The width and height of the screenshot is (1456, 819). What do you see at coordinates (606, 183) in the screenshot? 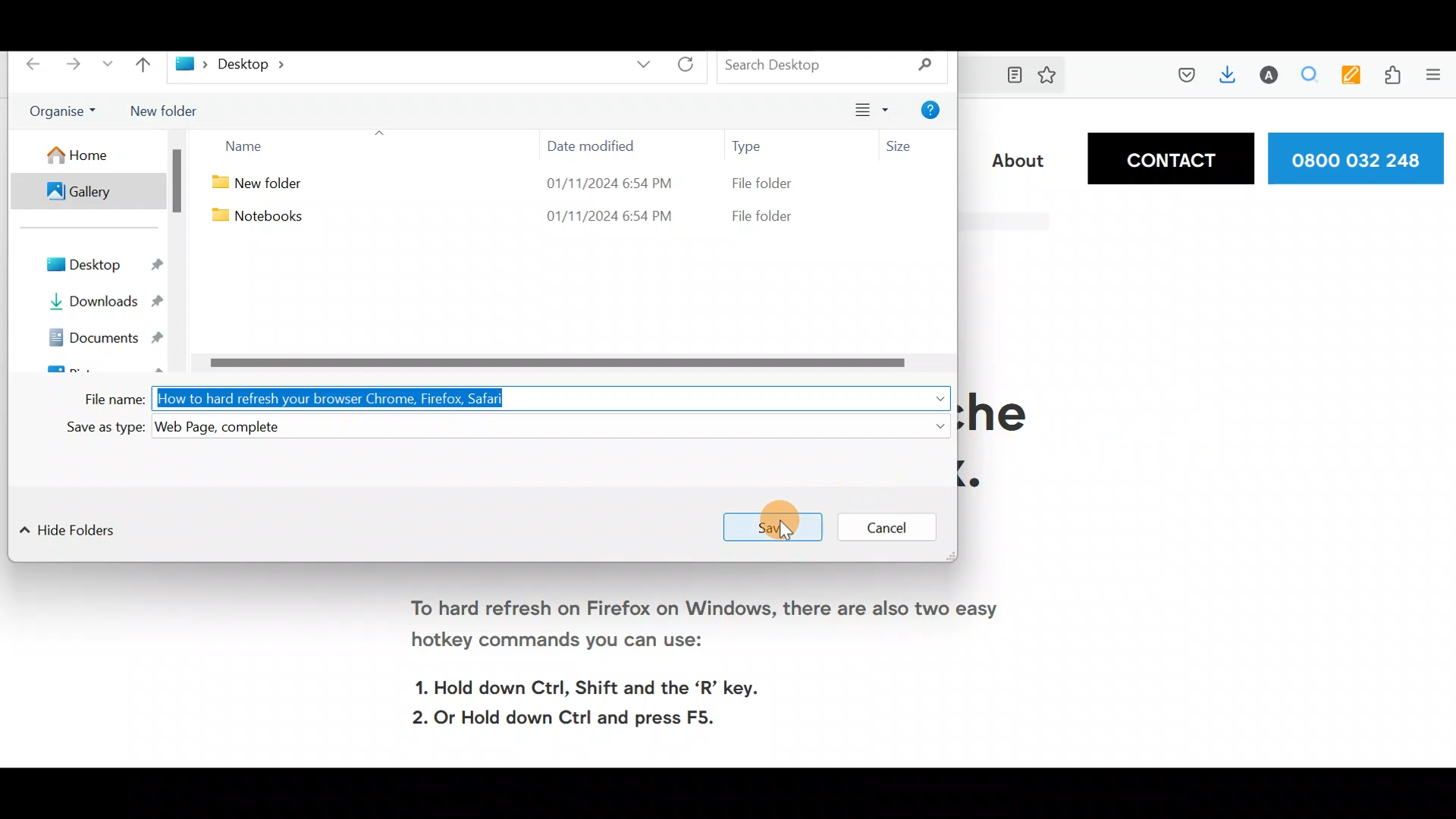
I see `01/11/2024 6:54 PM` at bounding box center [606, 183].